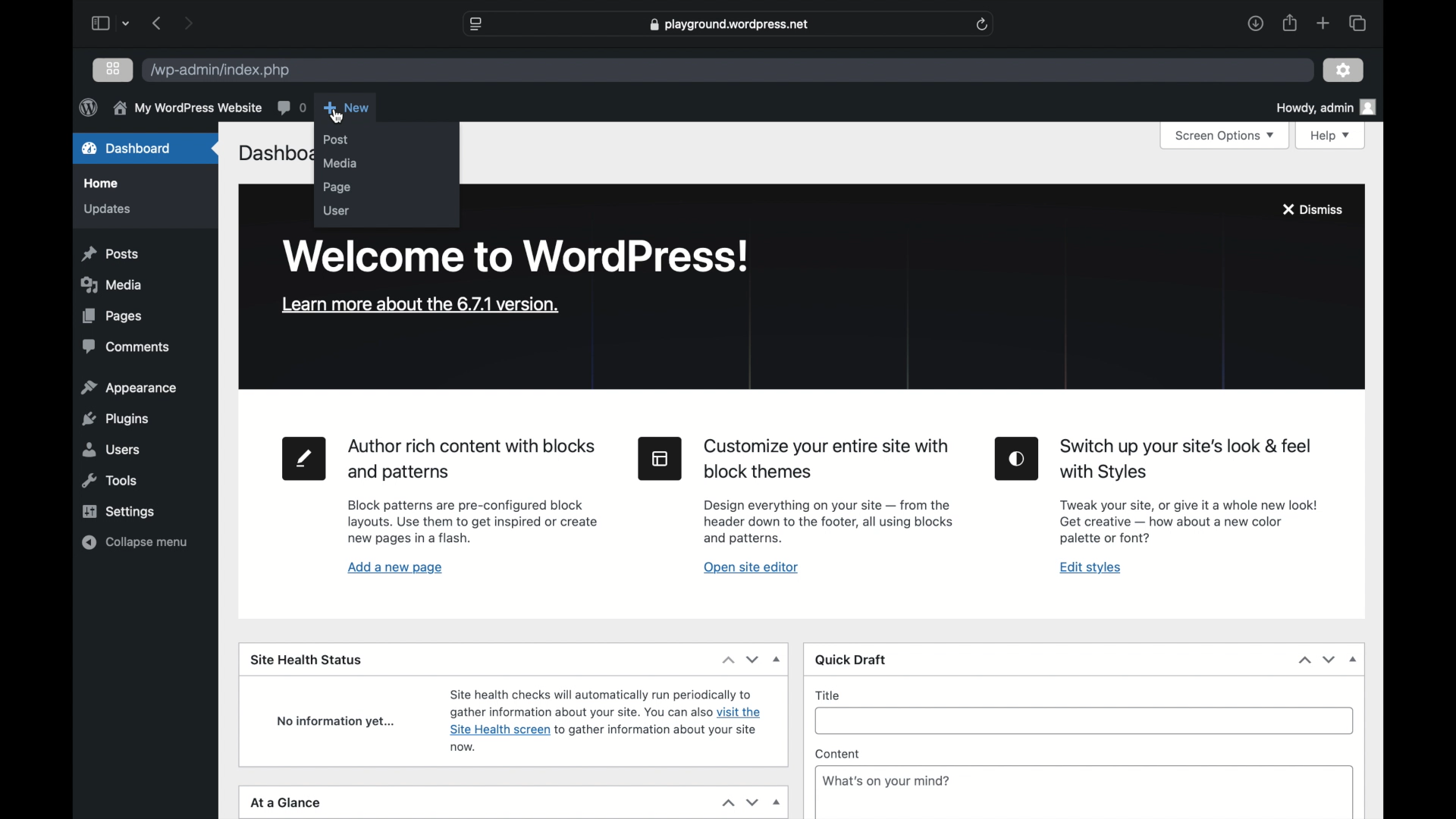 The height and width of the screenshot is (819, 1456). I want to click on add a new page, so click(395, 569).